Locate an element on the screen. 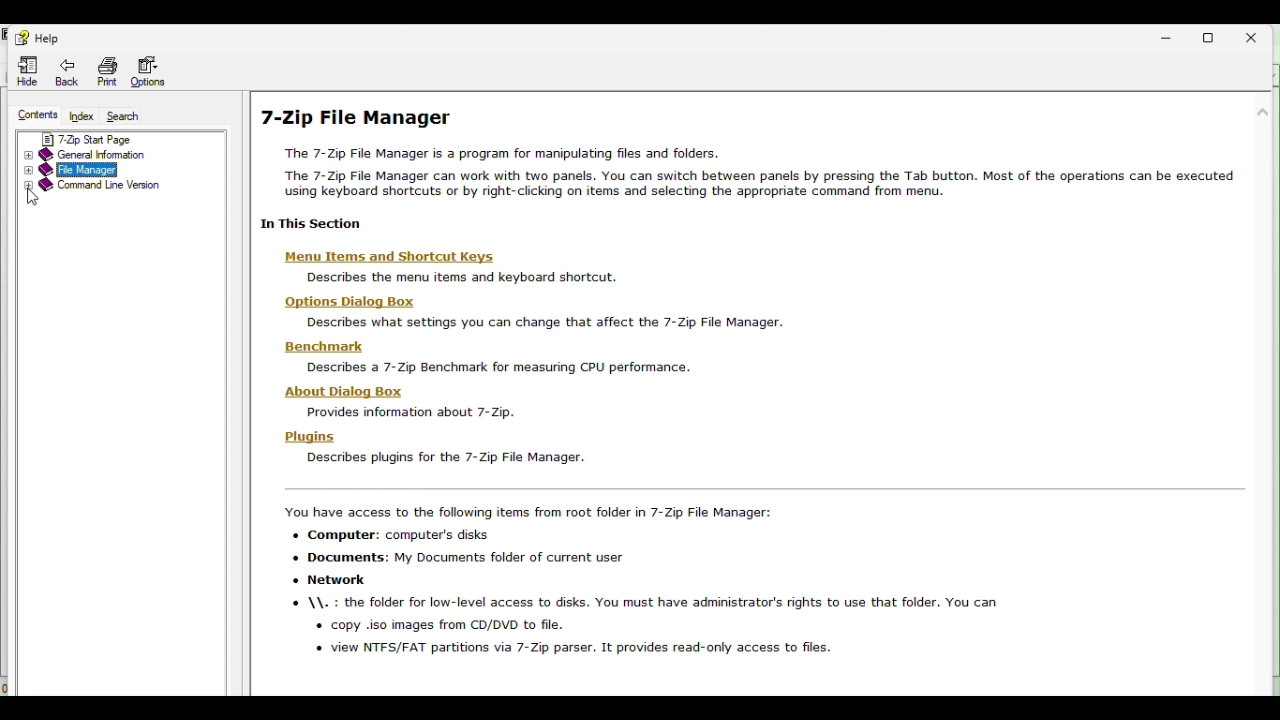  Describes the menu items and keyboard shortcut. is located at coordinates (455, 277).